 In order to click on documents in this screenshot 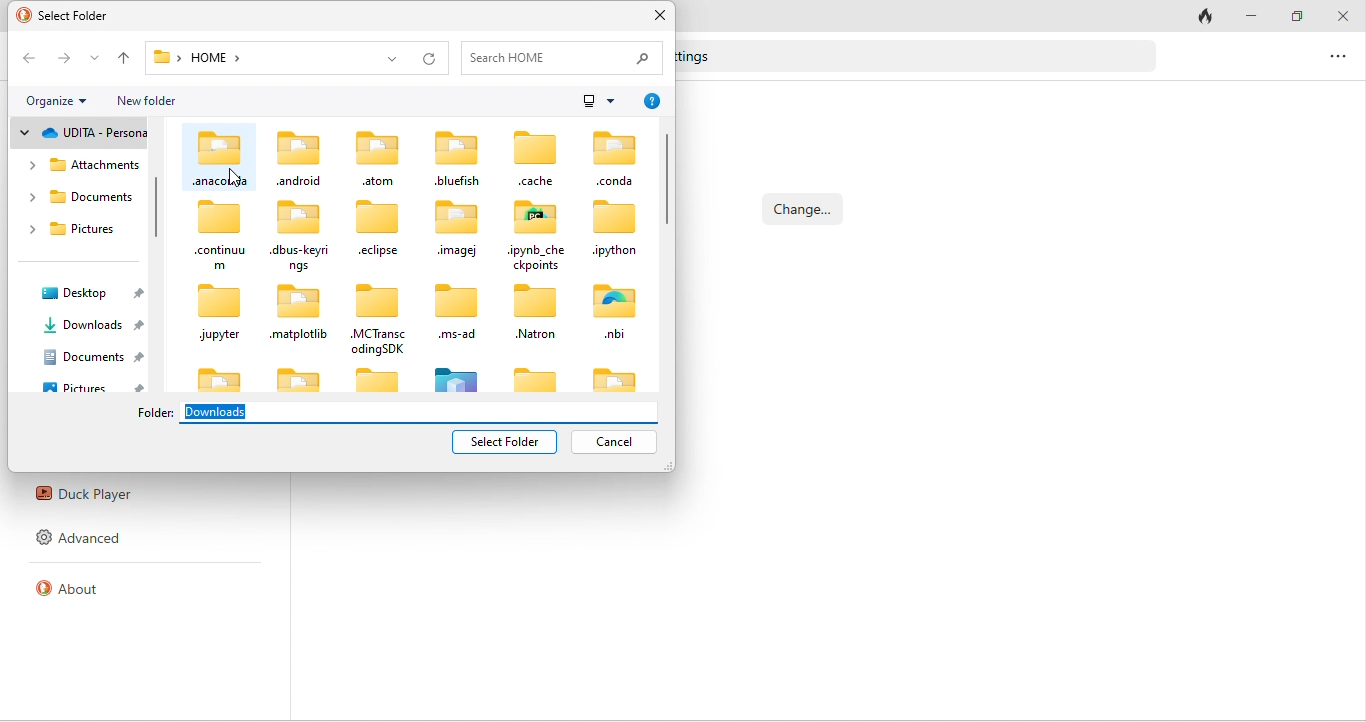, I will do `click(79, 202)`.